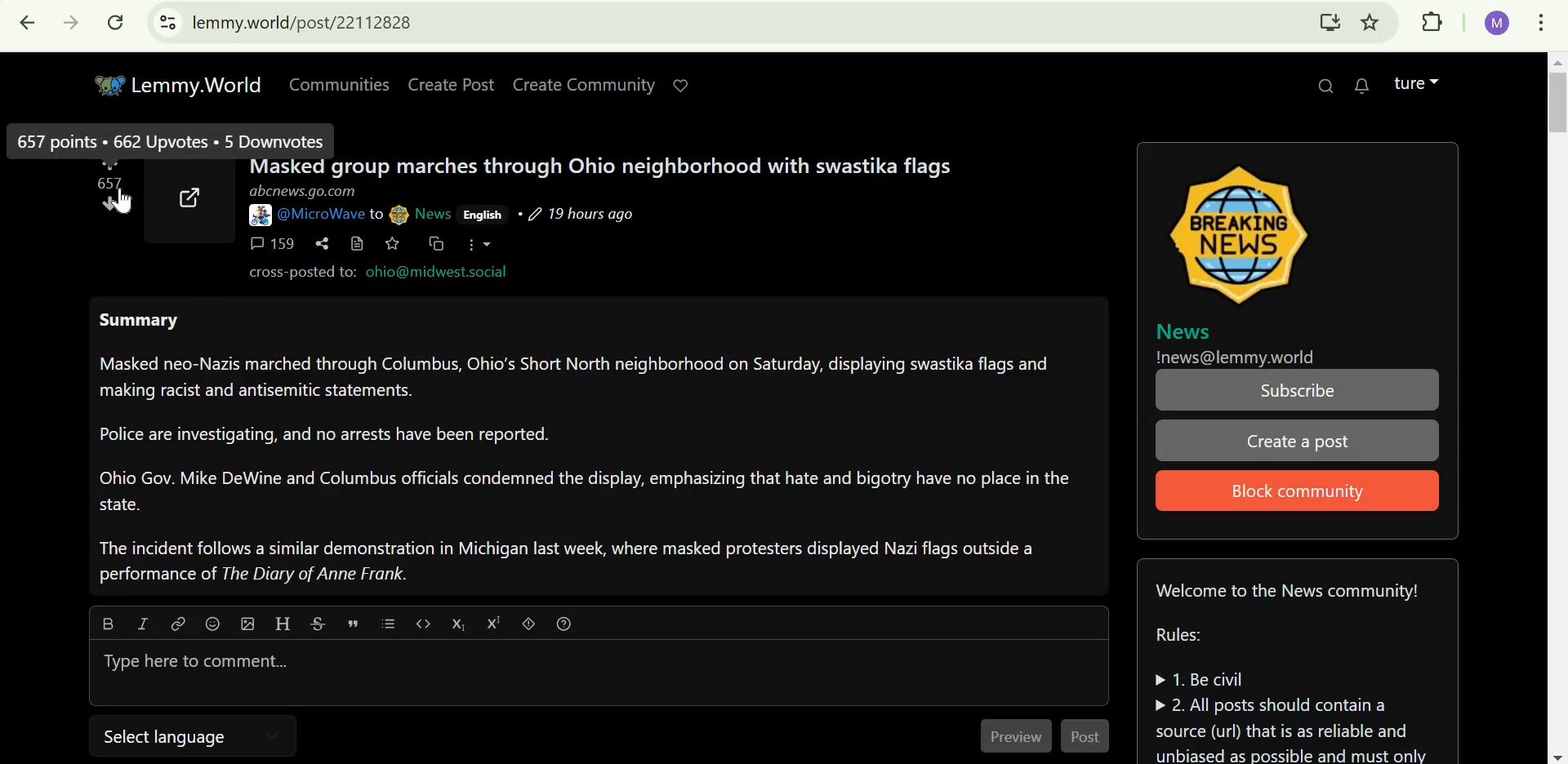 Image resolution: width=1568 pixels, height=764 pixels. I want to click on superscript, so click(492, 623).